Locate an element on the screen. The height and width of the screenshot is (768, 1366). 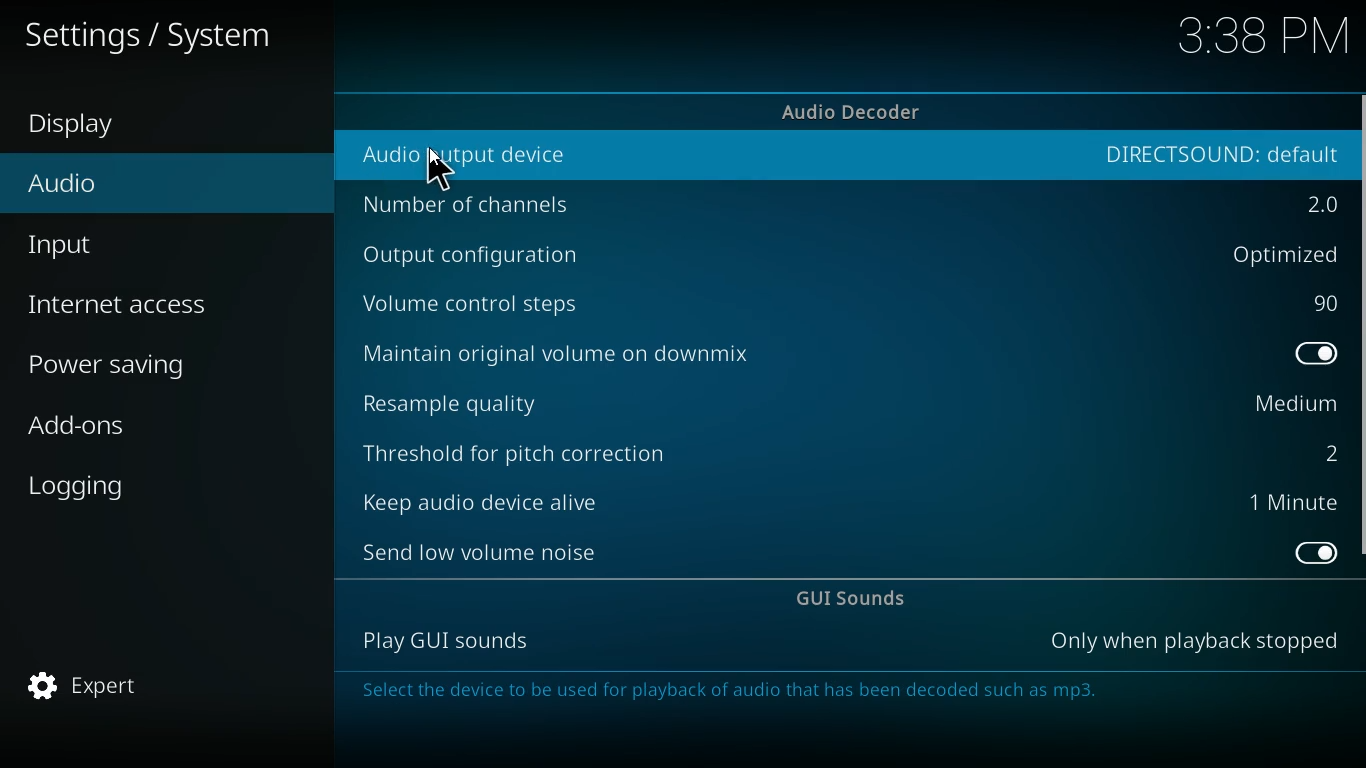
output configuration is located at coordinates (482, 258).